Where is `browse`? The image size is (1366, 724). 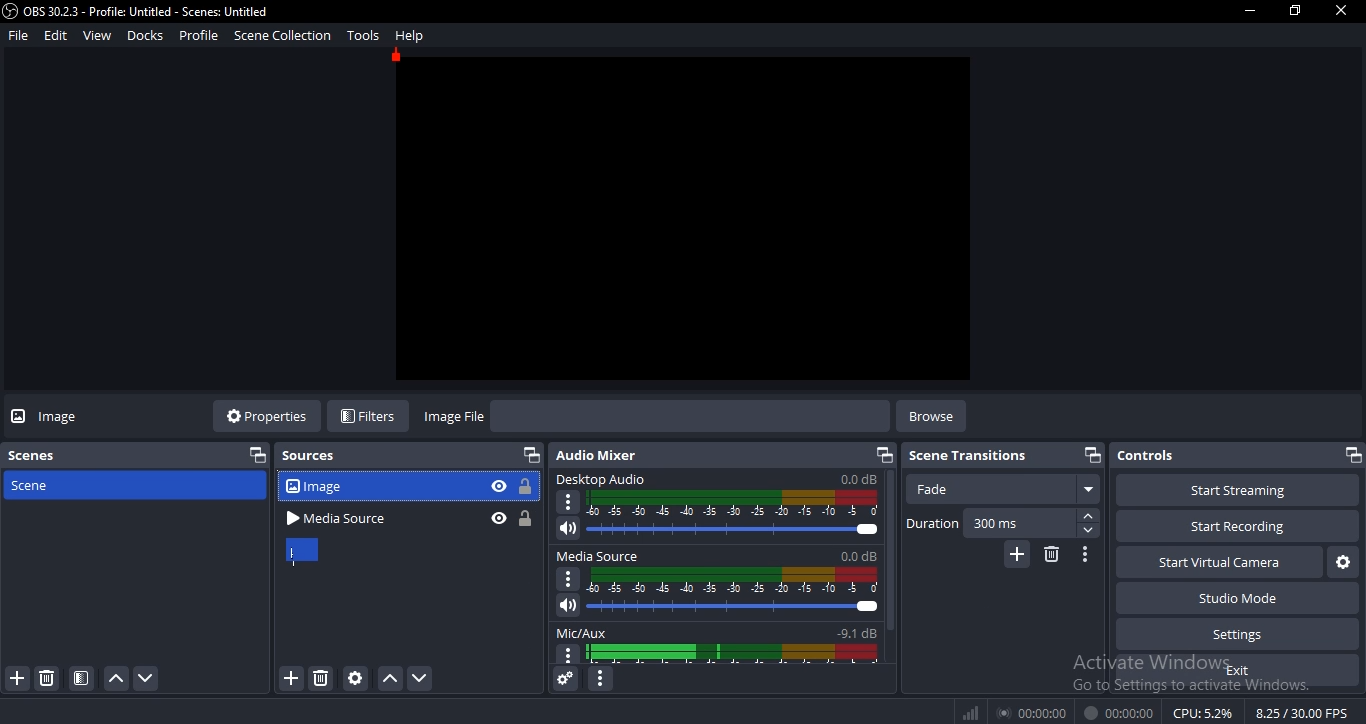 browse is located at coordinates (930, 416).